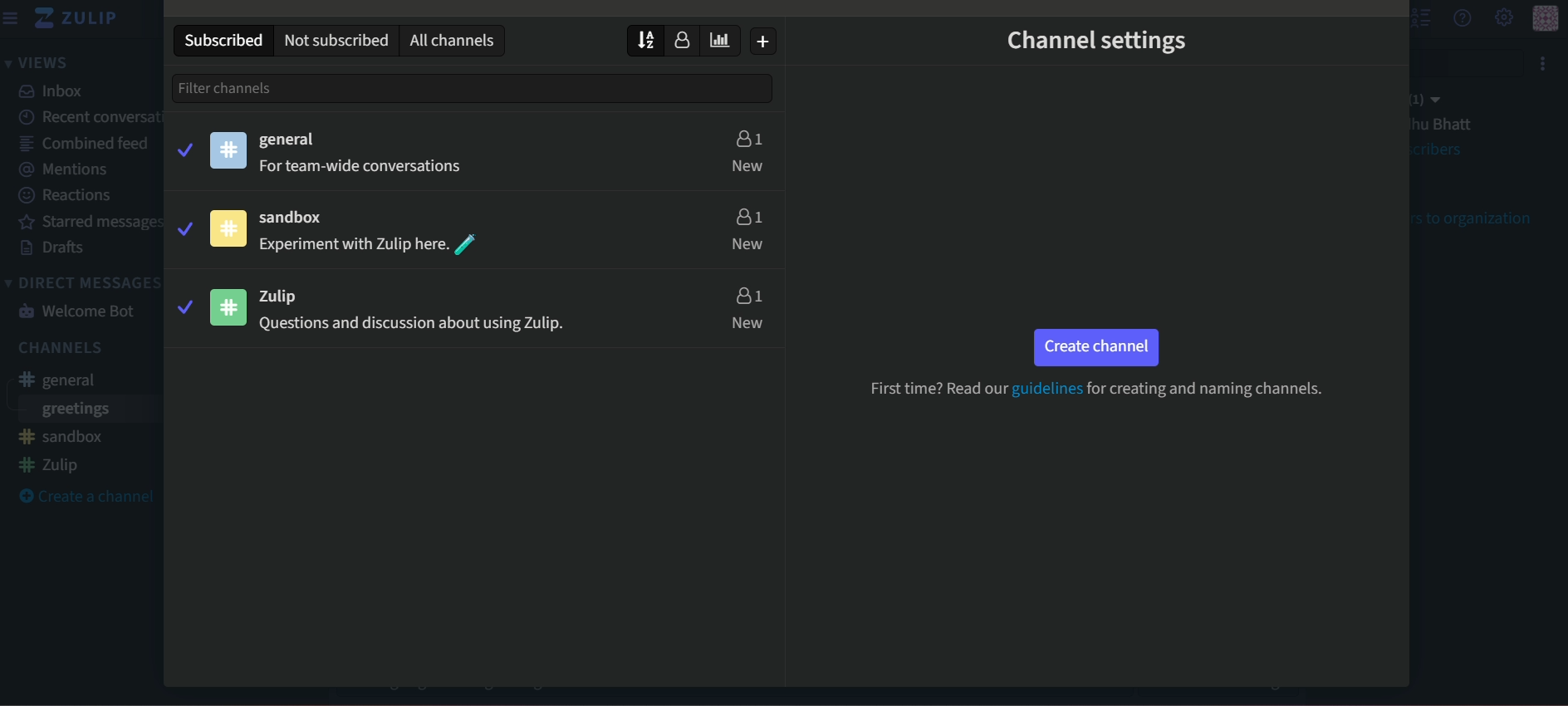 Image resolution: width=1568 pixels, height=706 pixels. Describe the element at coordinates (1551, 17) in the screenshot. I see `profile` at that location.